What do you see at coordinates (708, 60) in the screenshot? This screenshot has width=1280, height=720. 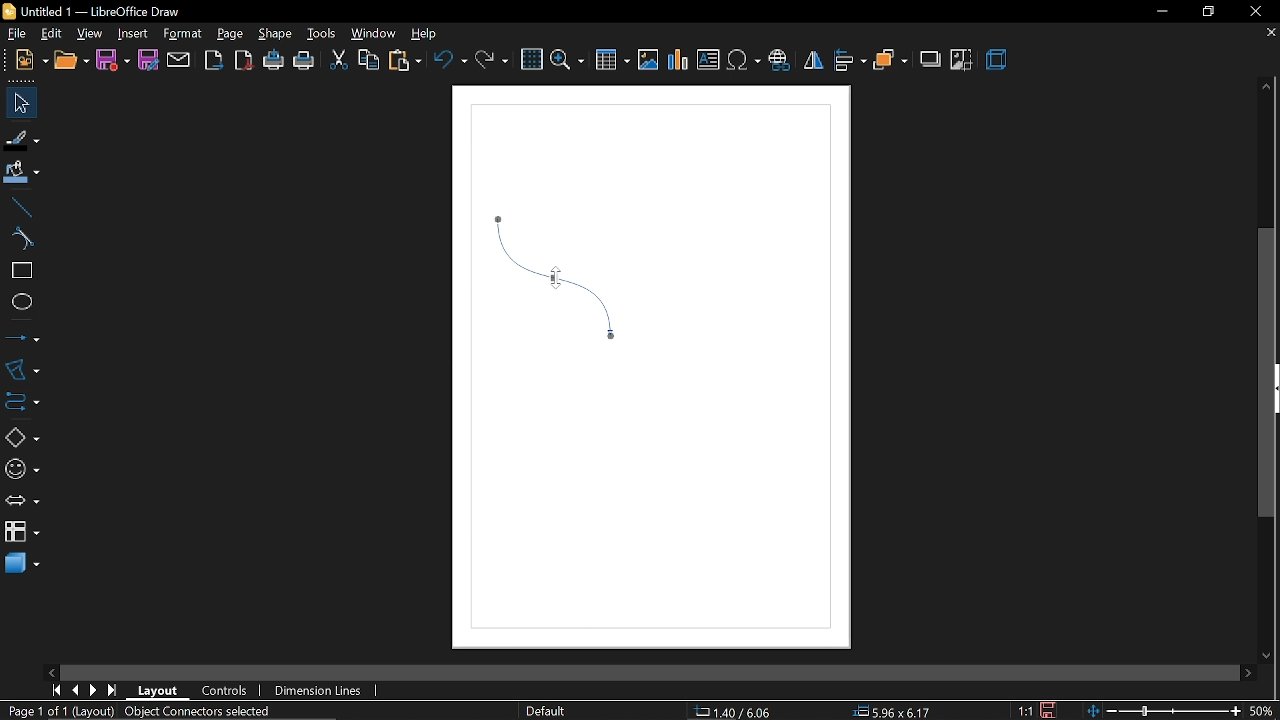 I see `Insert text` at bounding box center [708, 60].